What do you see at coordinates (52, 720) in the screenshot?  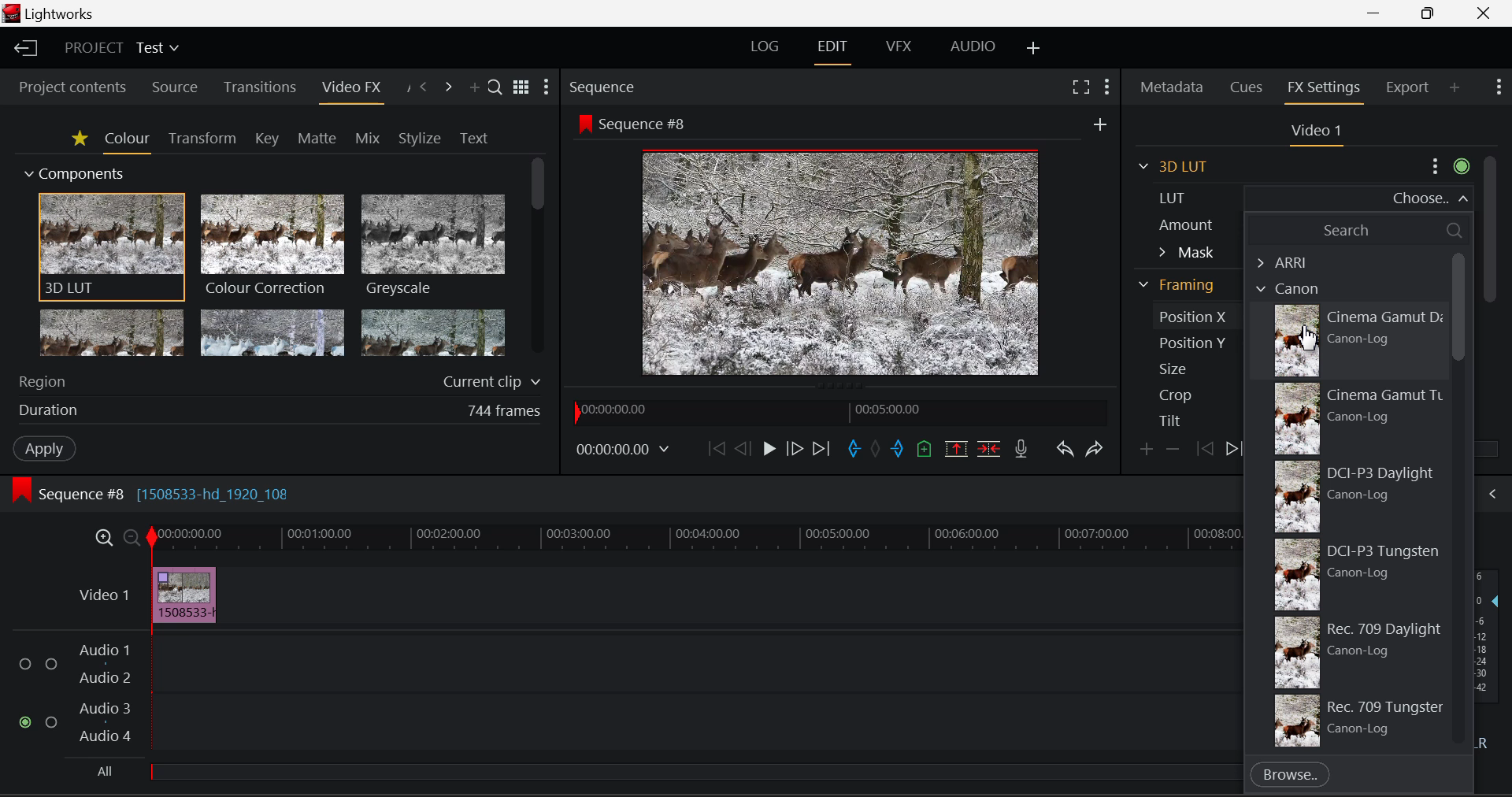 I see `Audio Input Checkbox` at bounding box center [52, 720].